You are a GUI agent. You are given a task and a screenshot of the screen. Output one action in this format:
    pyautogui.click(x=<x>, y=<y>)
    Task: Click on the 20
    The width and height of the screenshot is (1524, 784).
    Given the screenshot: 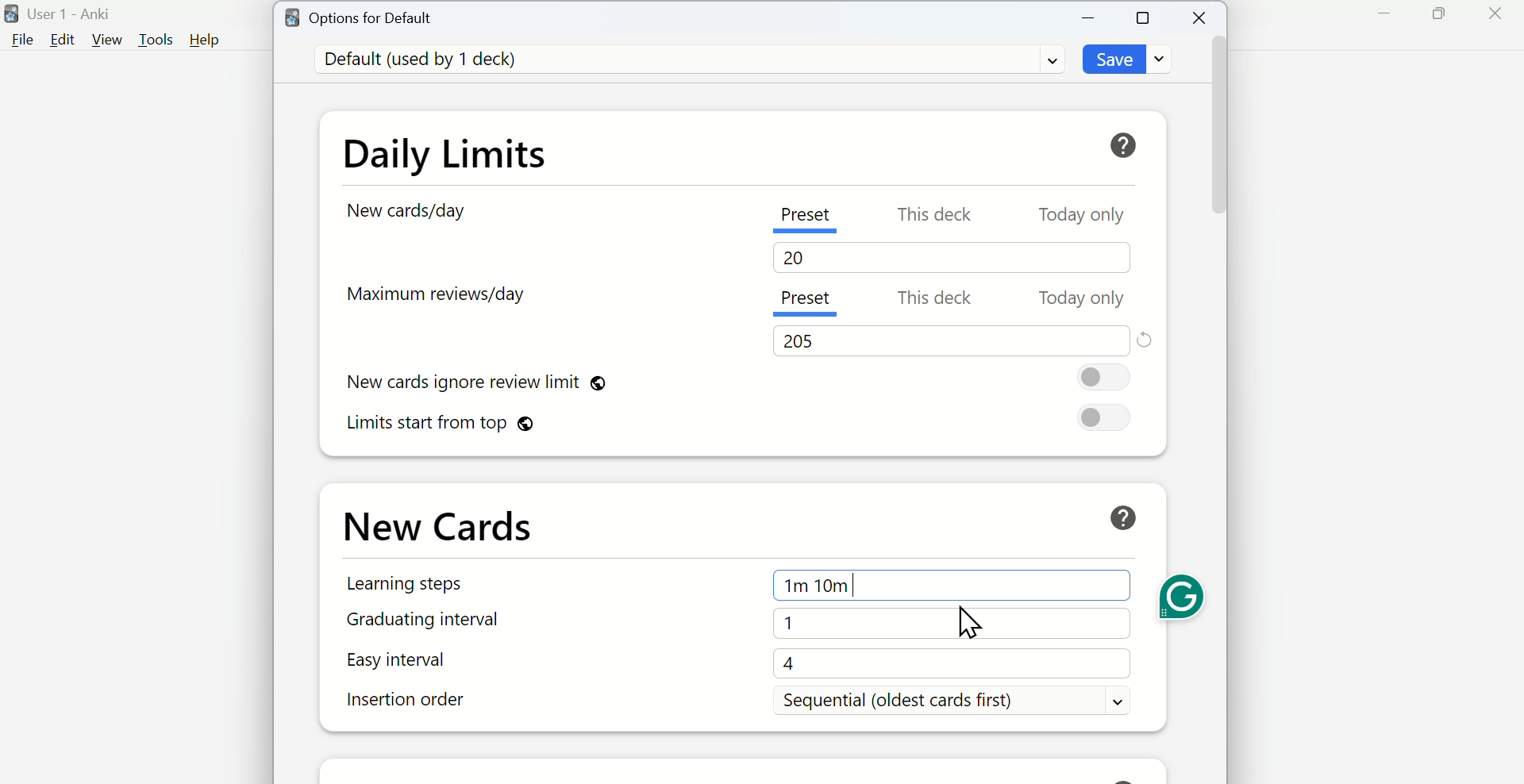 What is the action you would take?
    pyautogui.click(x=799, y=260)
    